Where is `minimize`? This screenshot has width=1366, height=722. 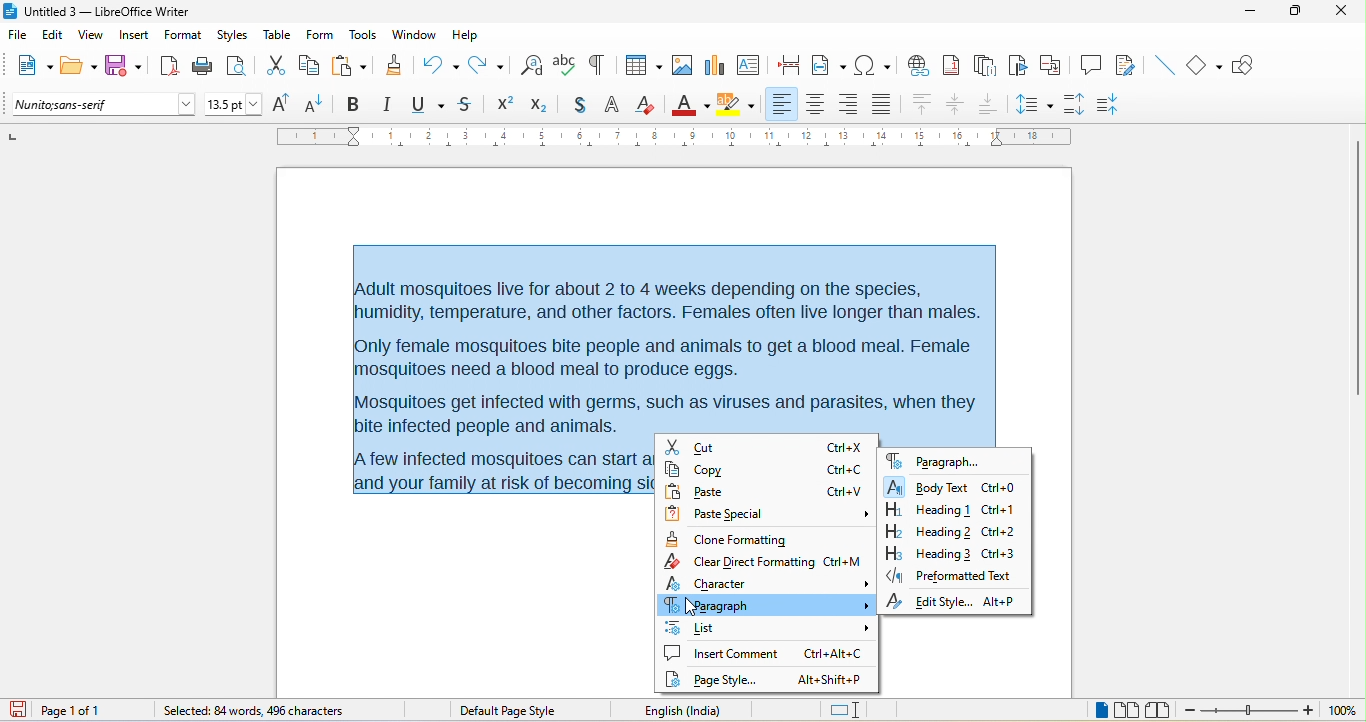
minimize is located at coordinates (1249, 13).